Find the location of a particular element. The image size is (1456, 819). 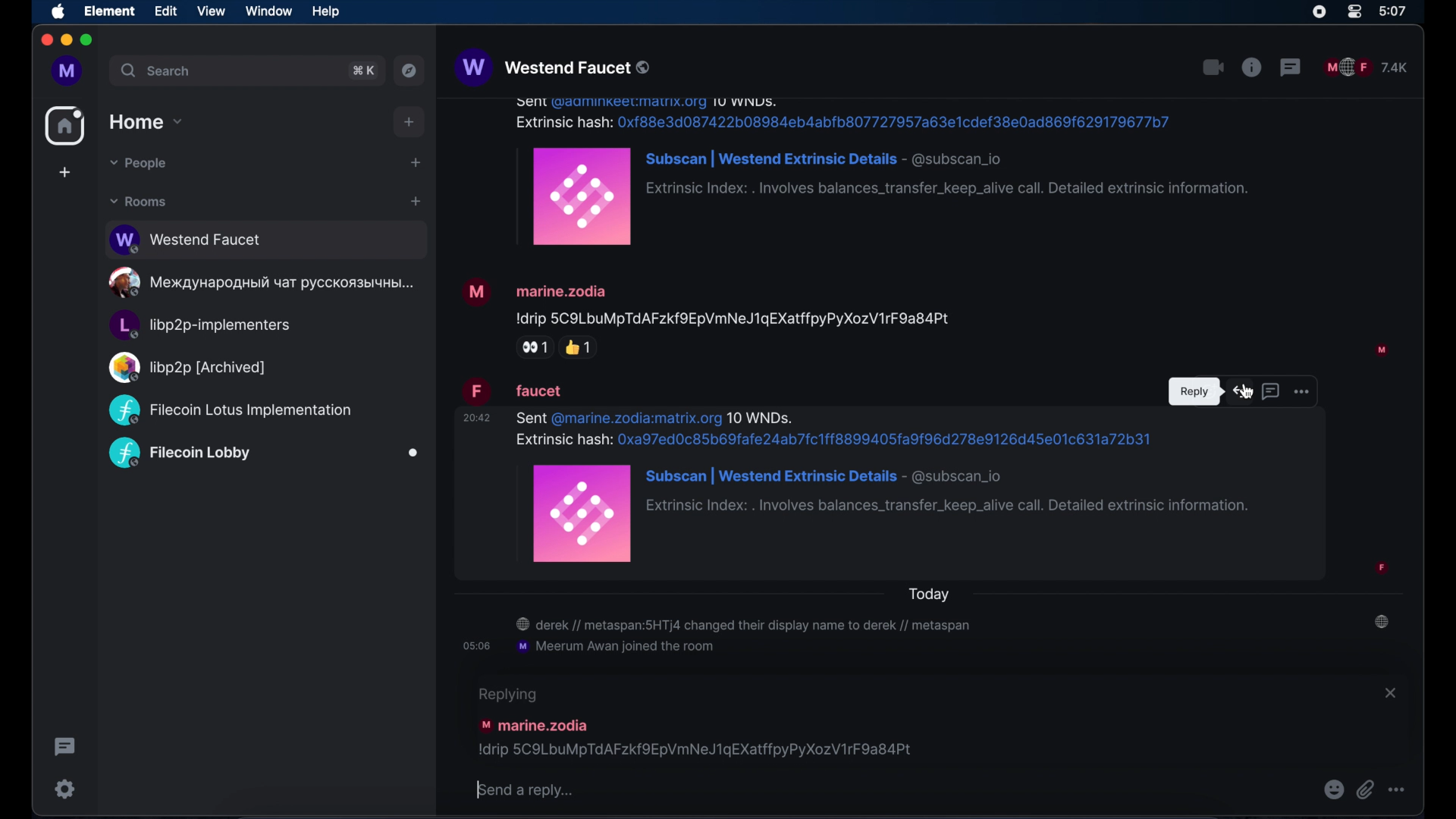

minimize is located at coordinates (66, 40).